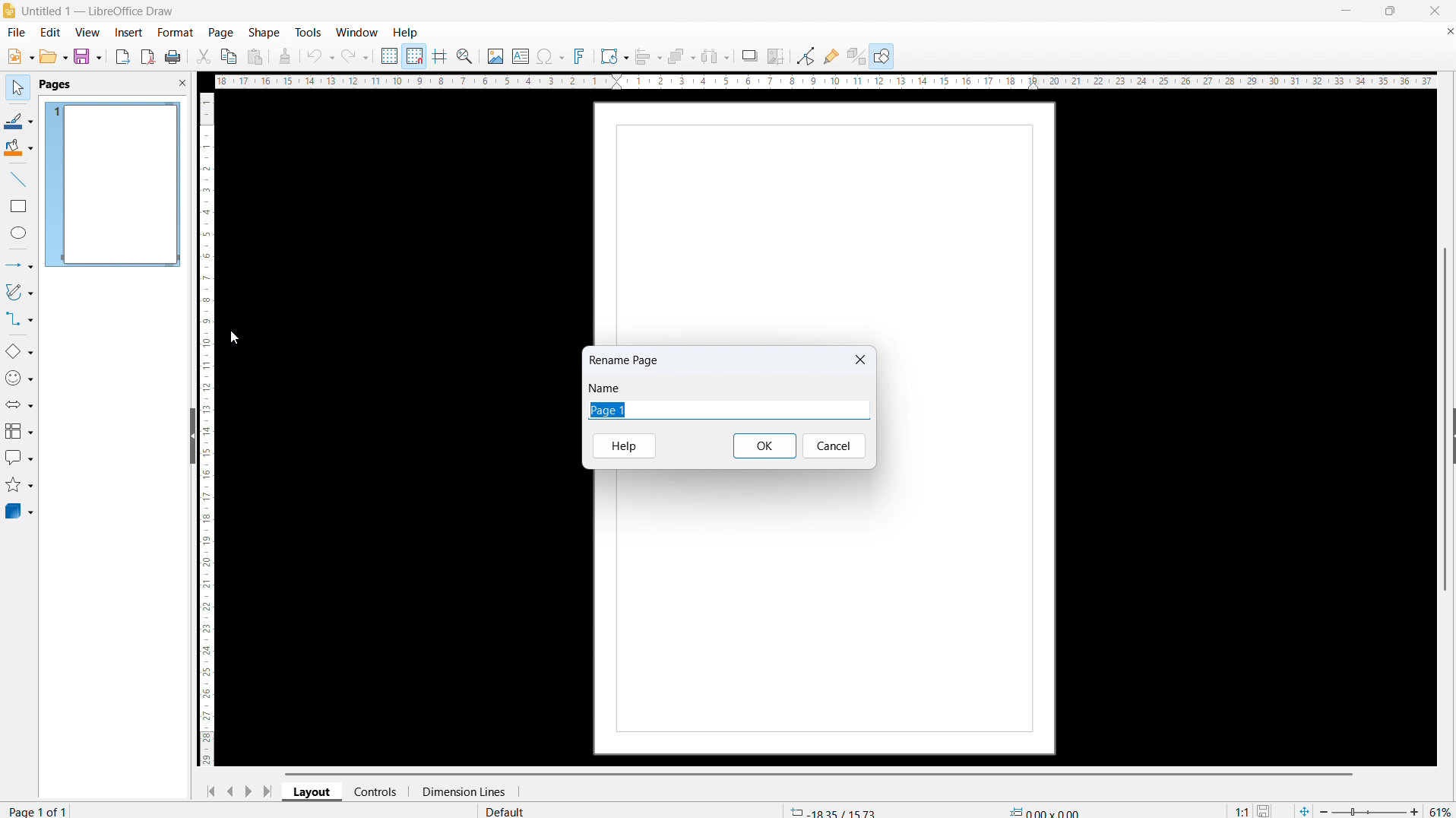  Describe the element at coordinates (19, 266) in the screenshot. I see `lines and arrows` at that location.